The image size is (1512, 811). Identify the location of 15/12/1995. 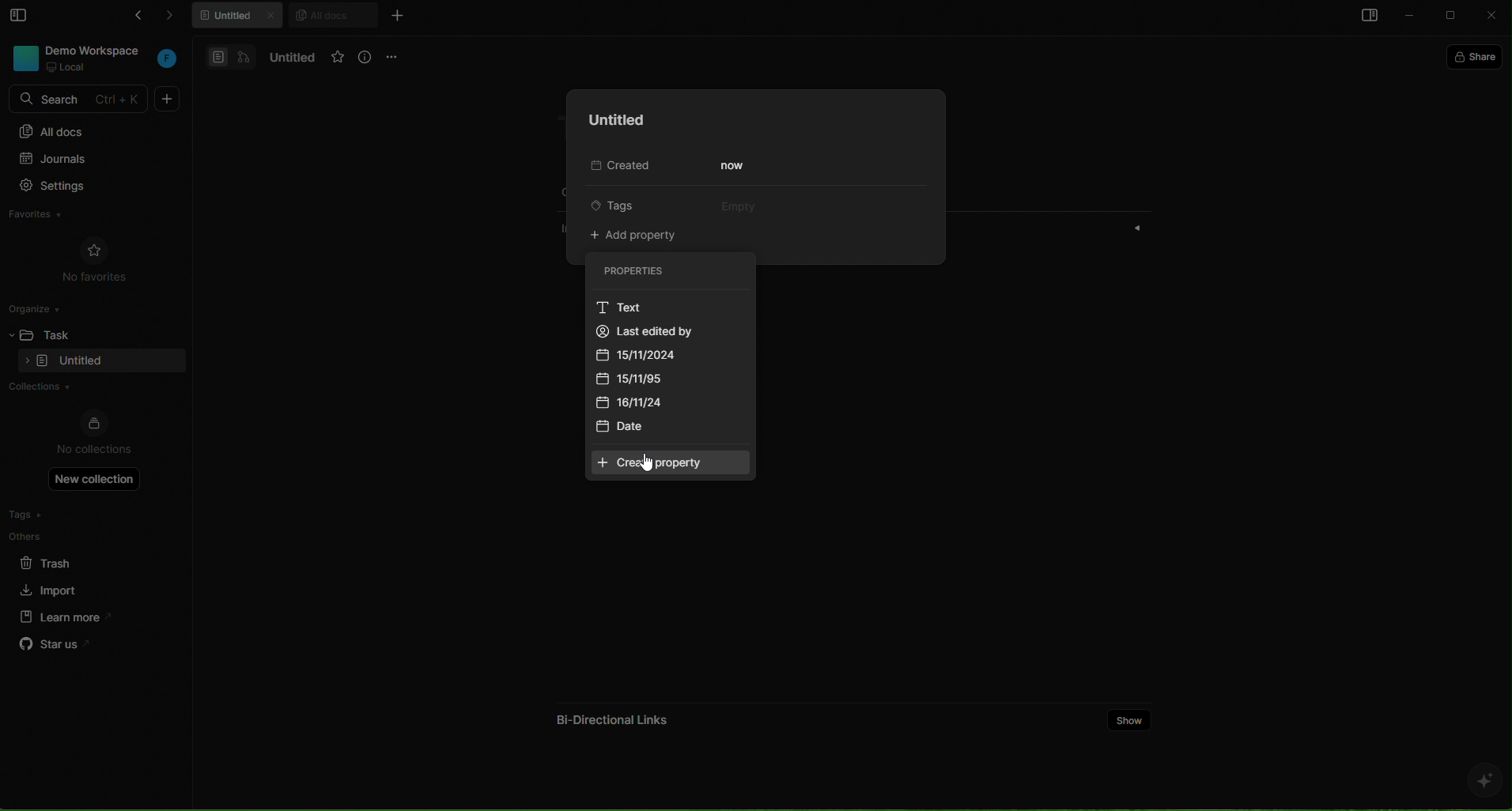
(642, 379).